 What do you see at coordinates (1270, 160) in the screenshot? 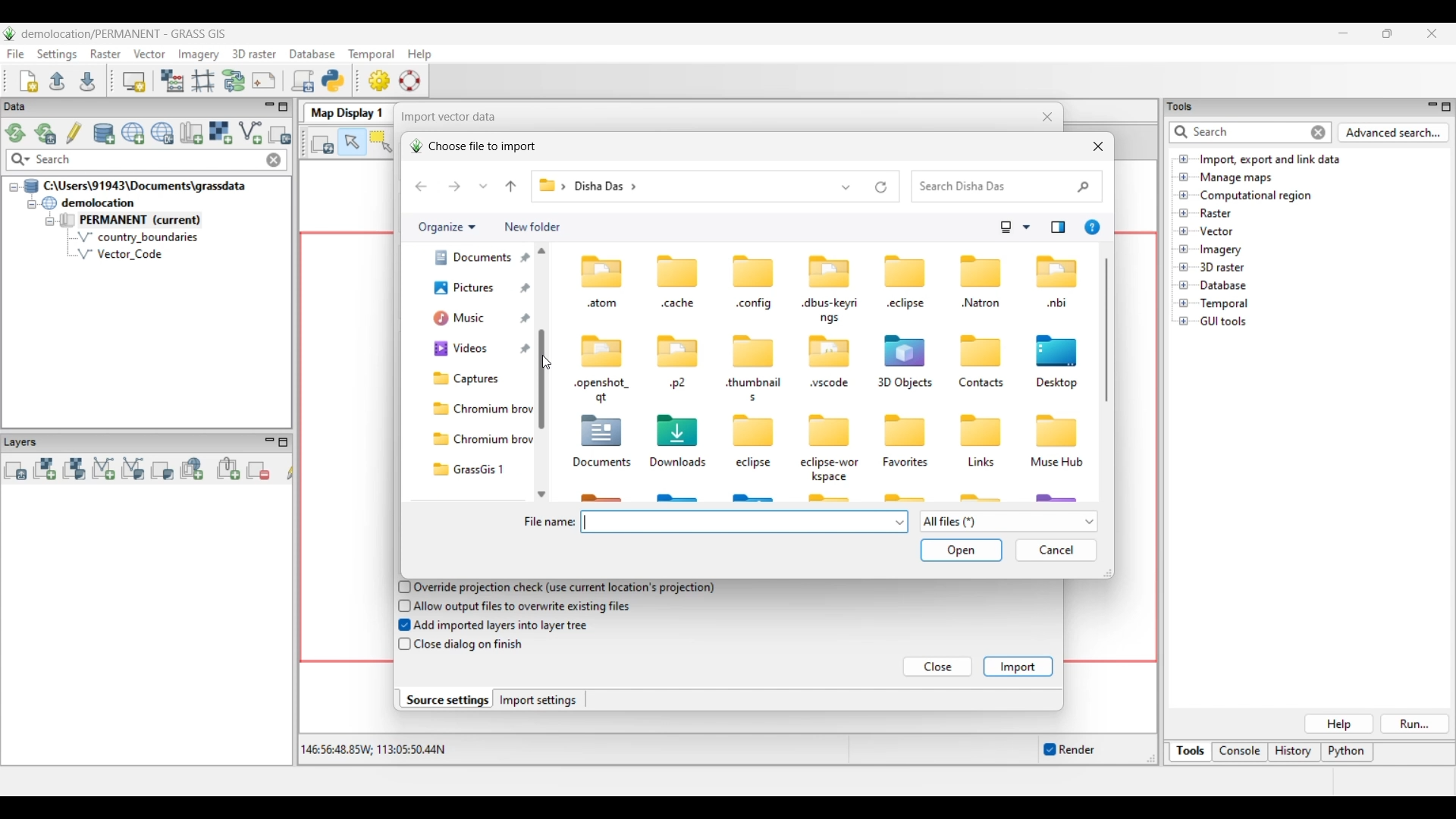
I see `Double click to view files under Import, export and link data` at bounding box center [1270, 160].